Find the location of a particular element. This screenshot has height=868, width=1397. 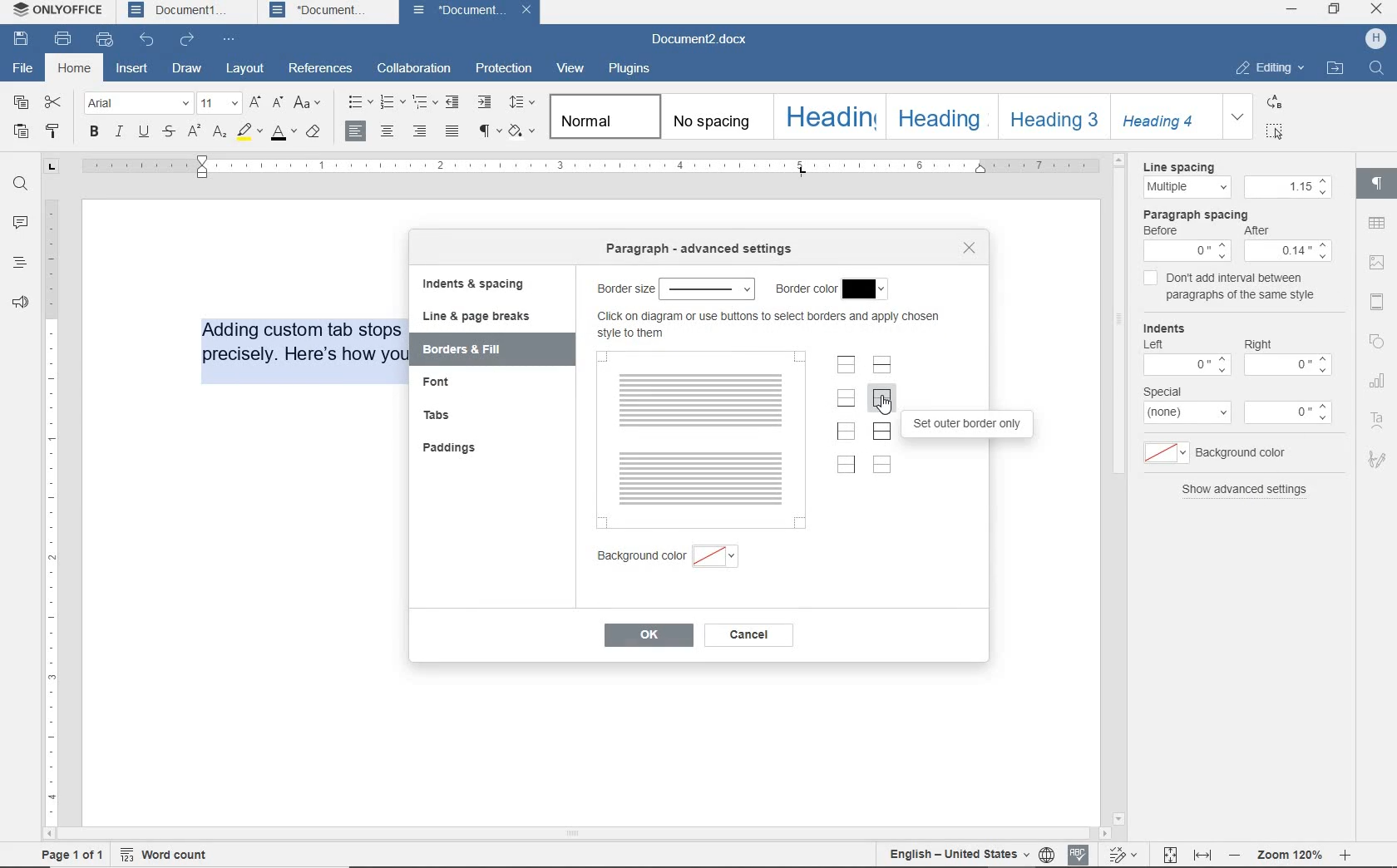

 is located at coordinates (1289, 251).